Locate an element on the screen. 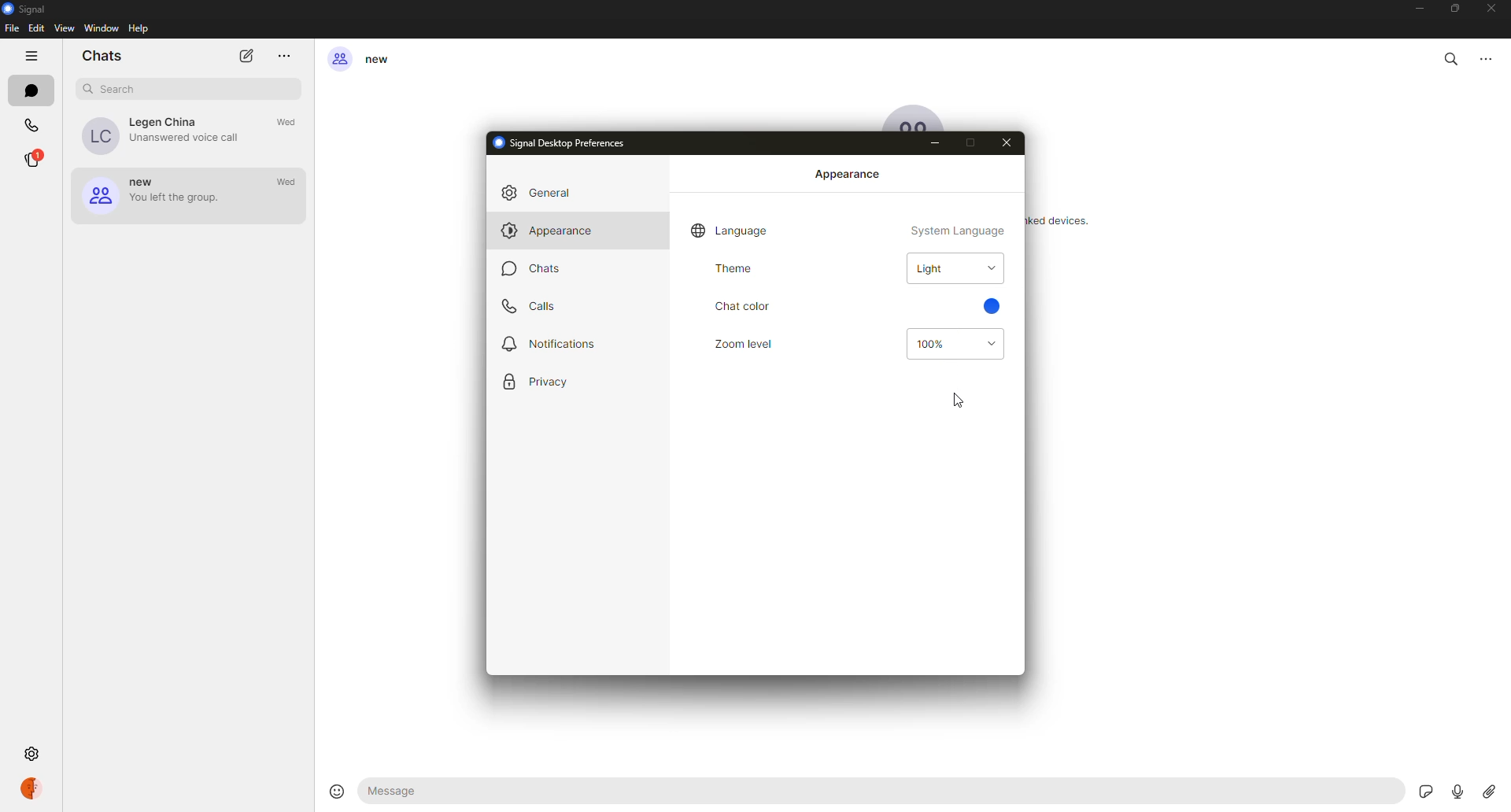 The image size is (1511, 812). message is located at coordinates (402, 791).